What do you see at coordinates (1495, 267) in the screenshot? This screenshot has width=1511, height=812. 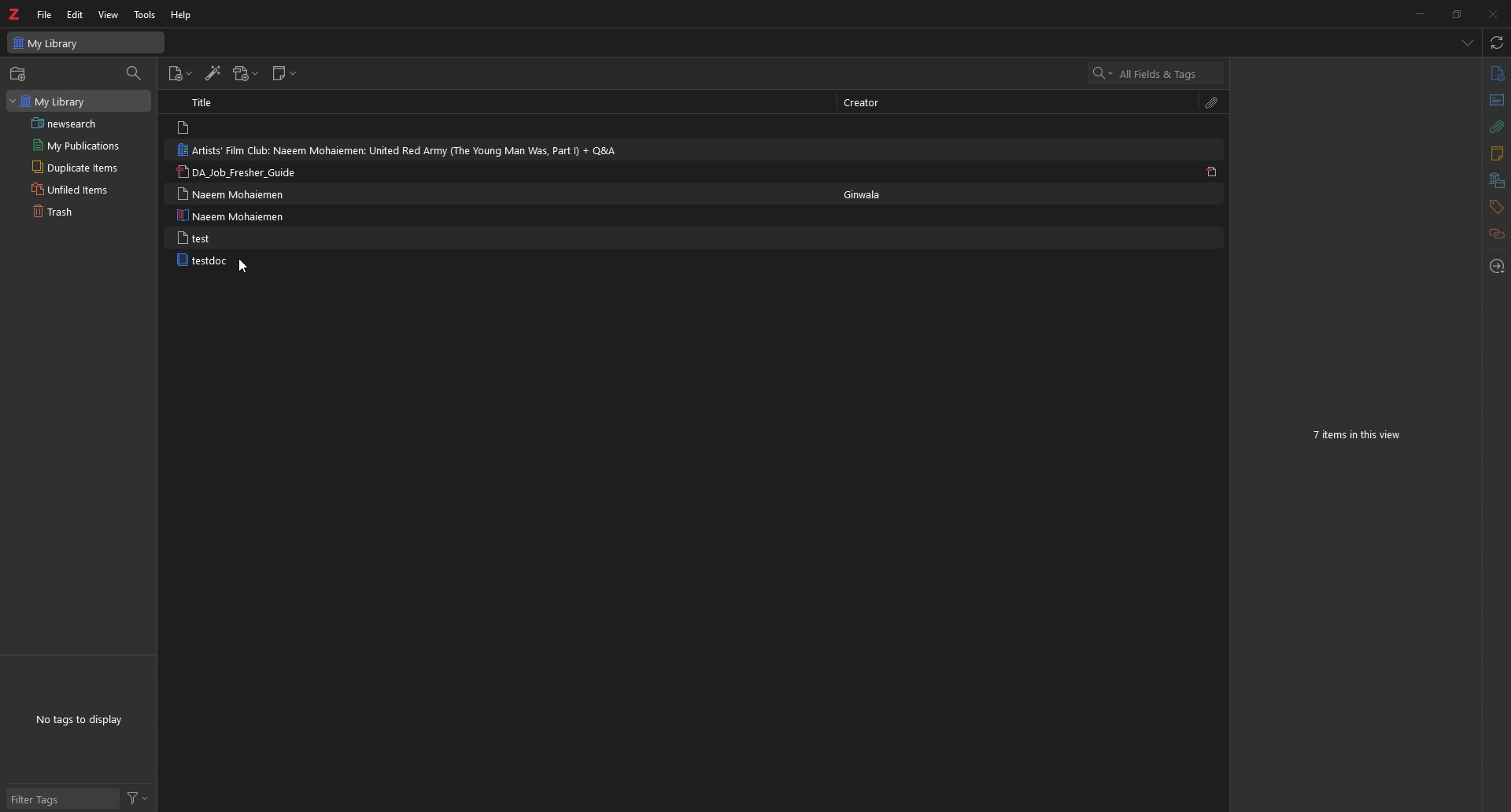 I see `locate` at bounding box center [1495, 267].